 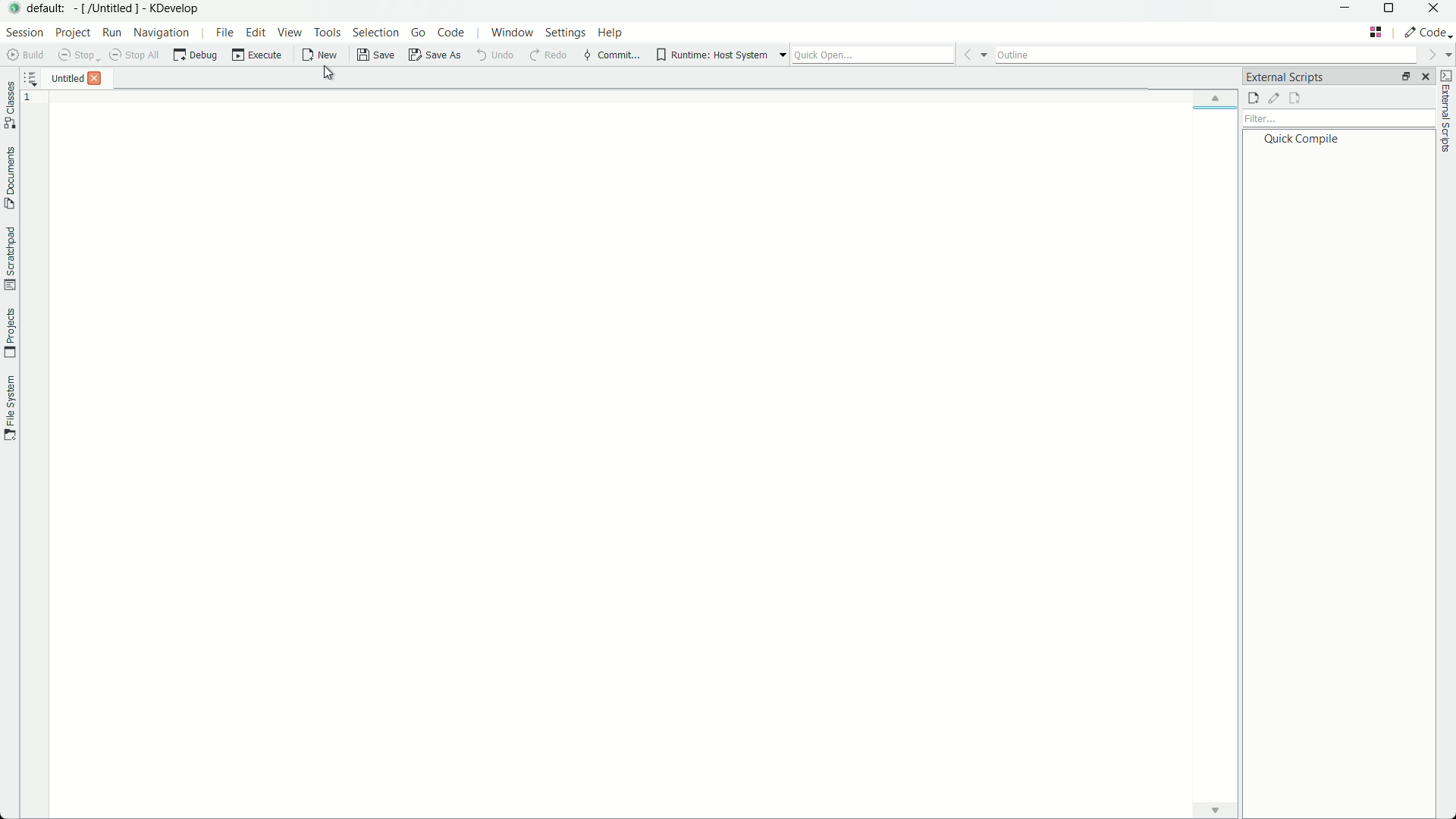 I want to click on classes, so click(x=11, y=104).